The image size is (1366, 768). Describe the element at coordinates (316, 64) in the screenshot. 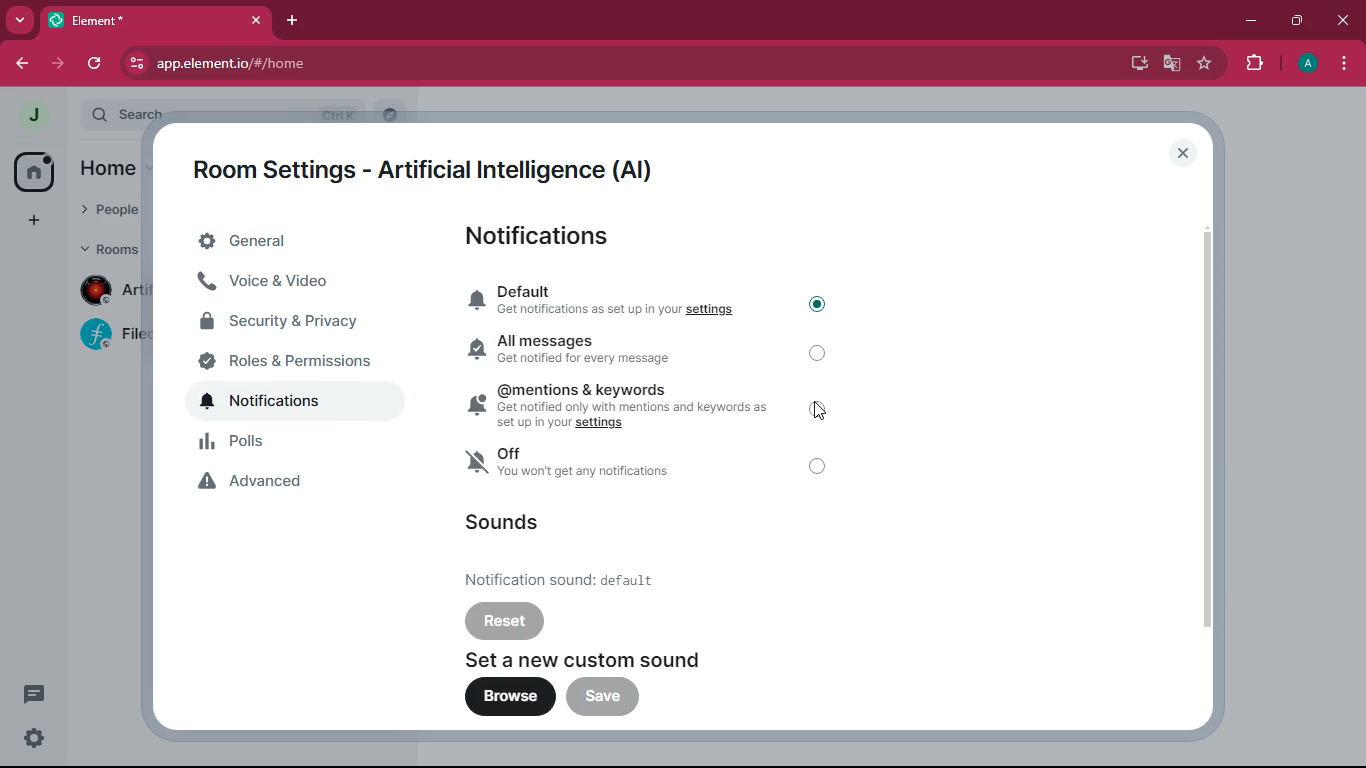

I see `url` at that location.